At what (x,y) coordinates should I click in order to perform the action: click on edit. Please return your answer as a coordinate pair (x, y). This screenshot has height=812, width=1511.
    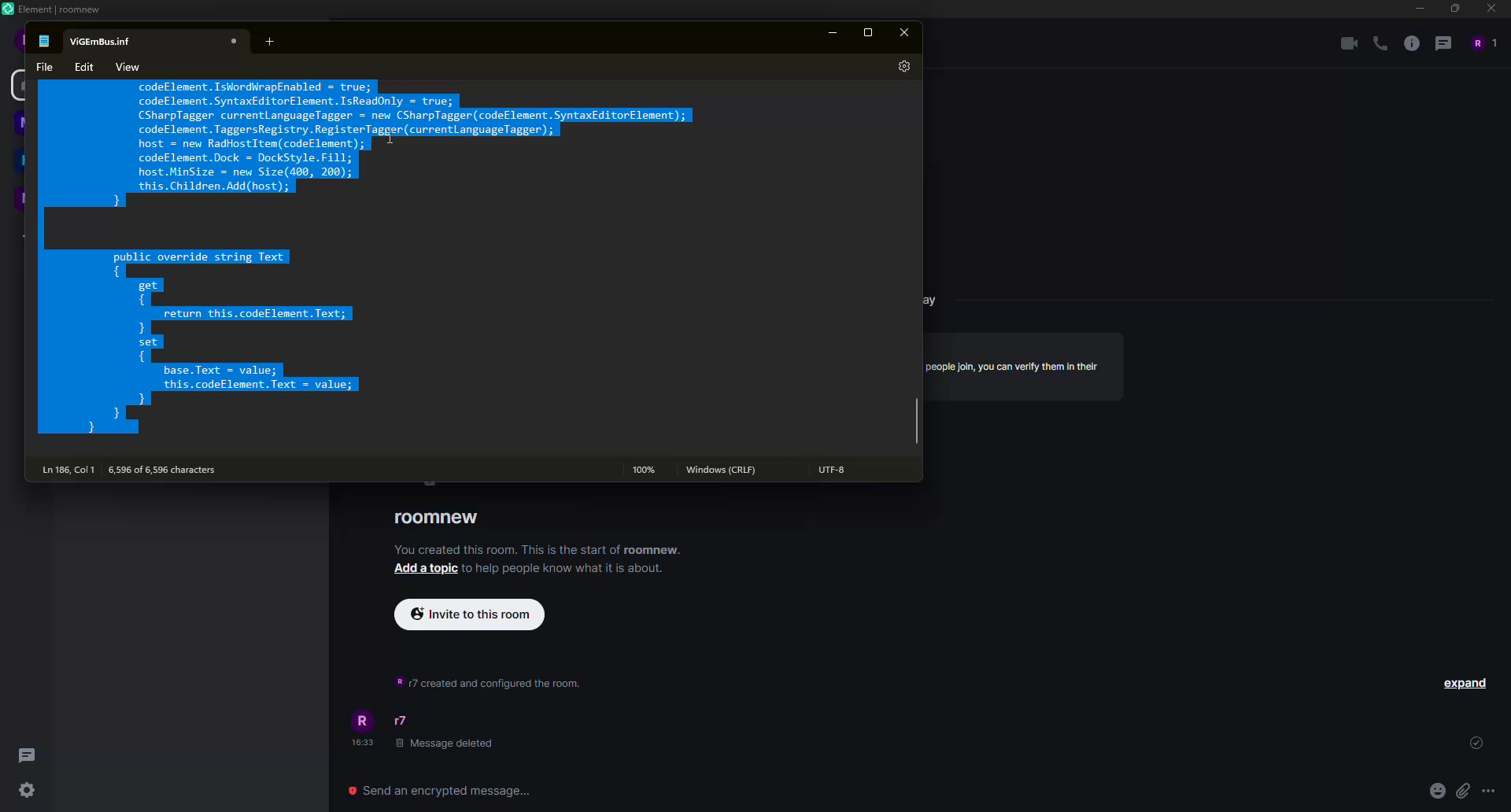
    Looking at the image, I should click on (86, 67).